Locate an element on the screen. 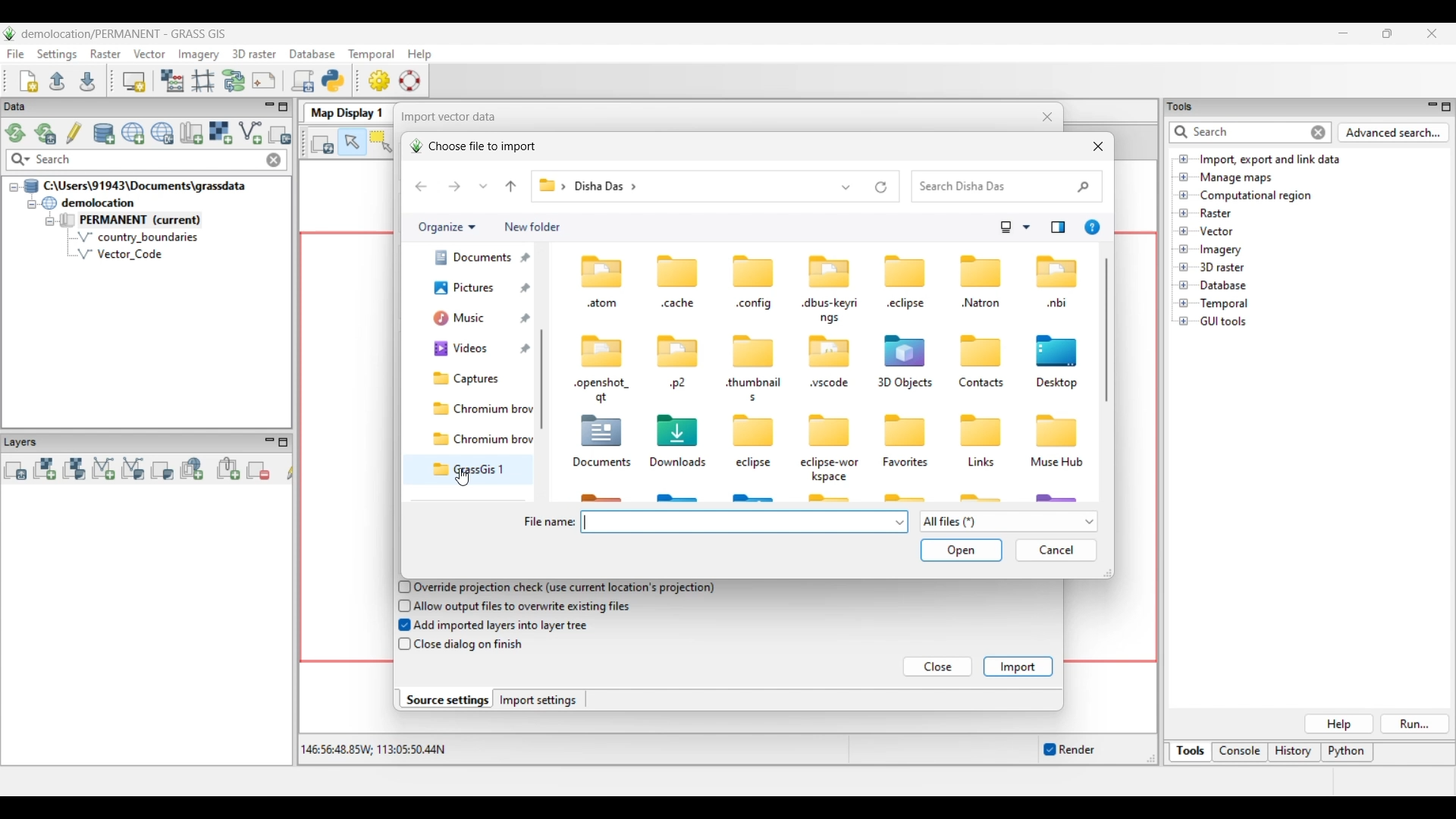  Path of current folder is located at coordinates (550, 187).